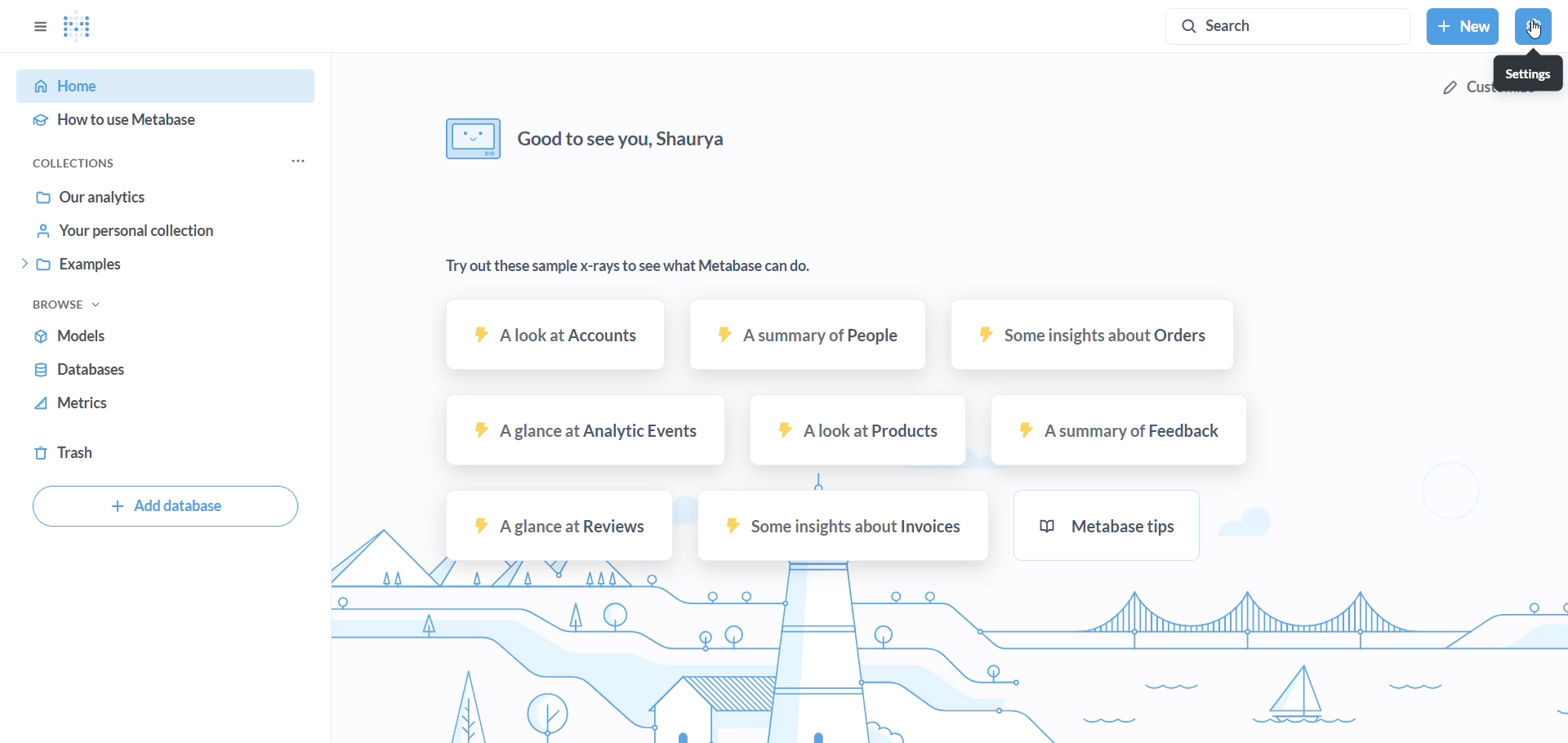  Describe the element at coordinates (1463, 26) in the screenshot. I see `new button` at that location.